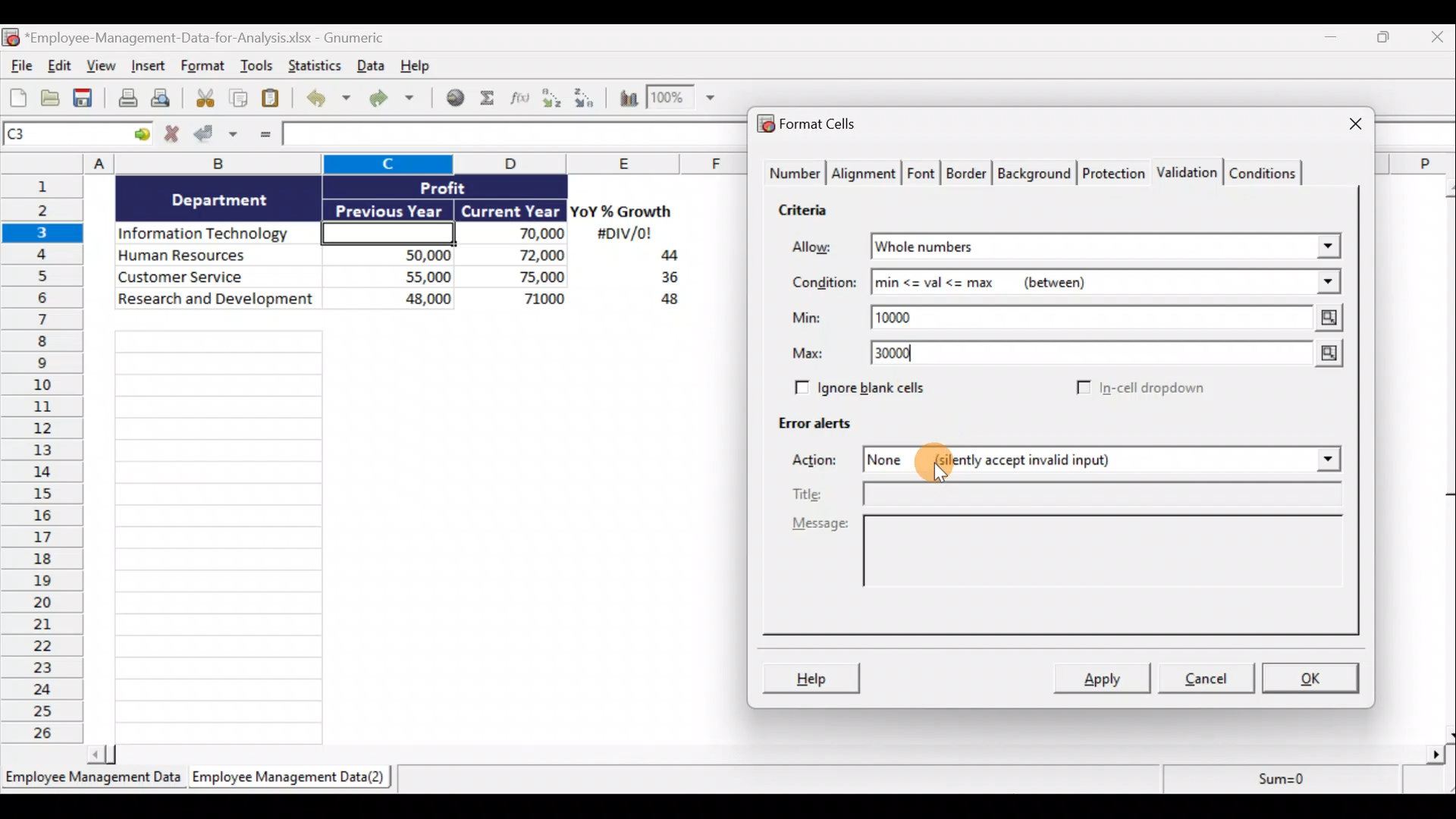  I want to click on Cell C3, so click(384, 231).